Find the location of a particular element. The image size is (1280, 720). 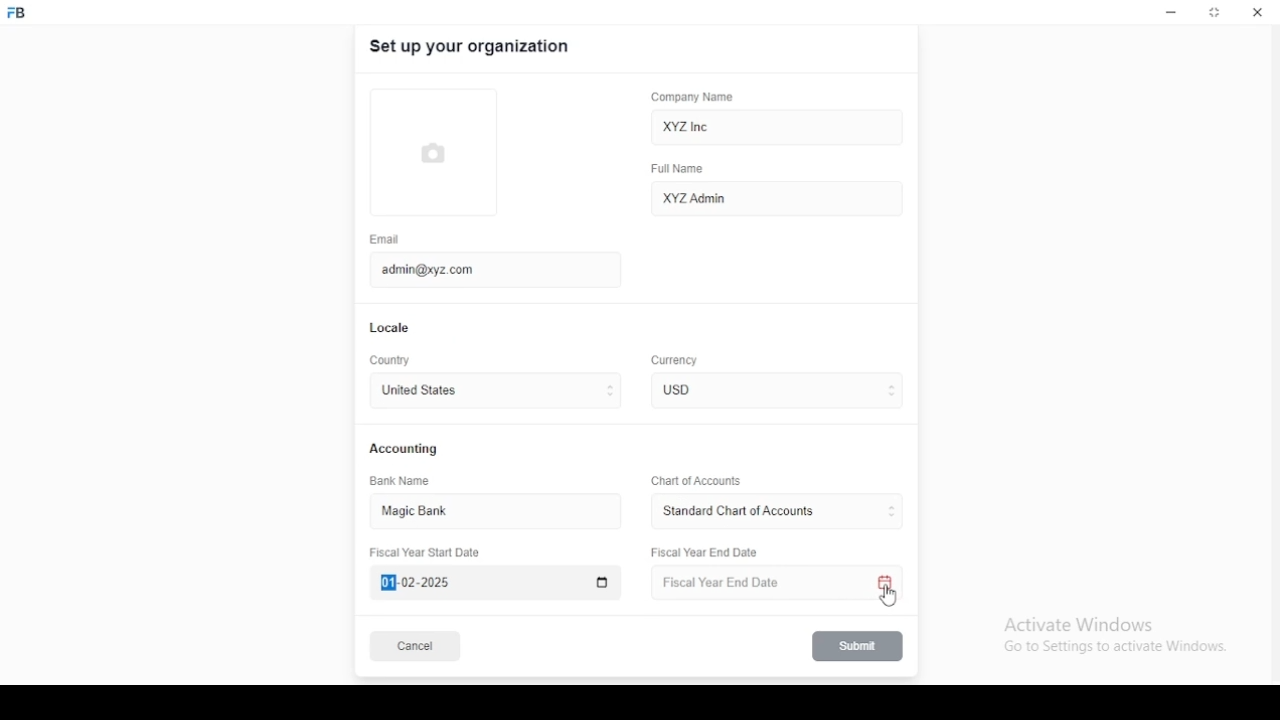

Fiscal Year Start Date is located at coordinates (432, 553).